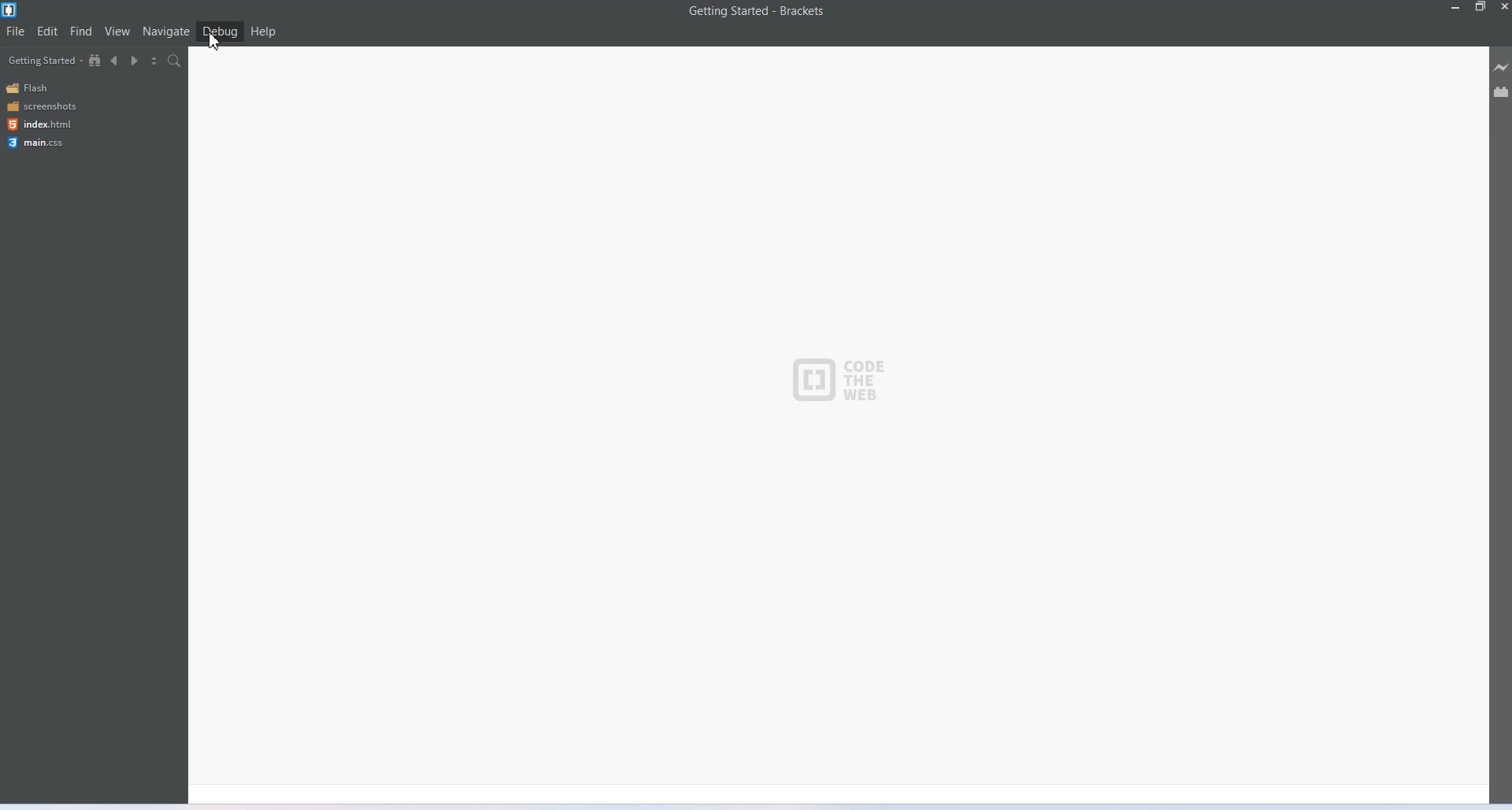  What do you see at coordinates (40, 61) in the screenshot?
I see `Gating started` at bounding box center [40, 61].